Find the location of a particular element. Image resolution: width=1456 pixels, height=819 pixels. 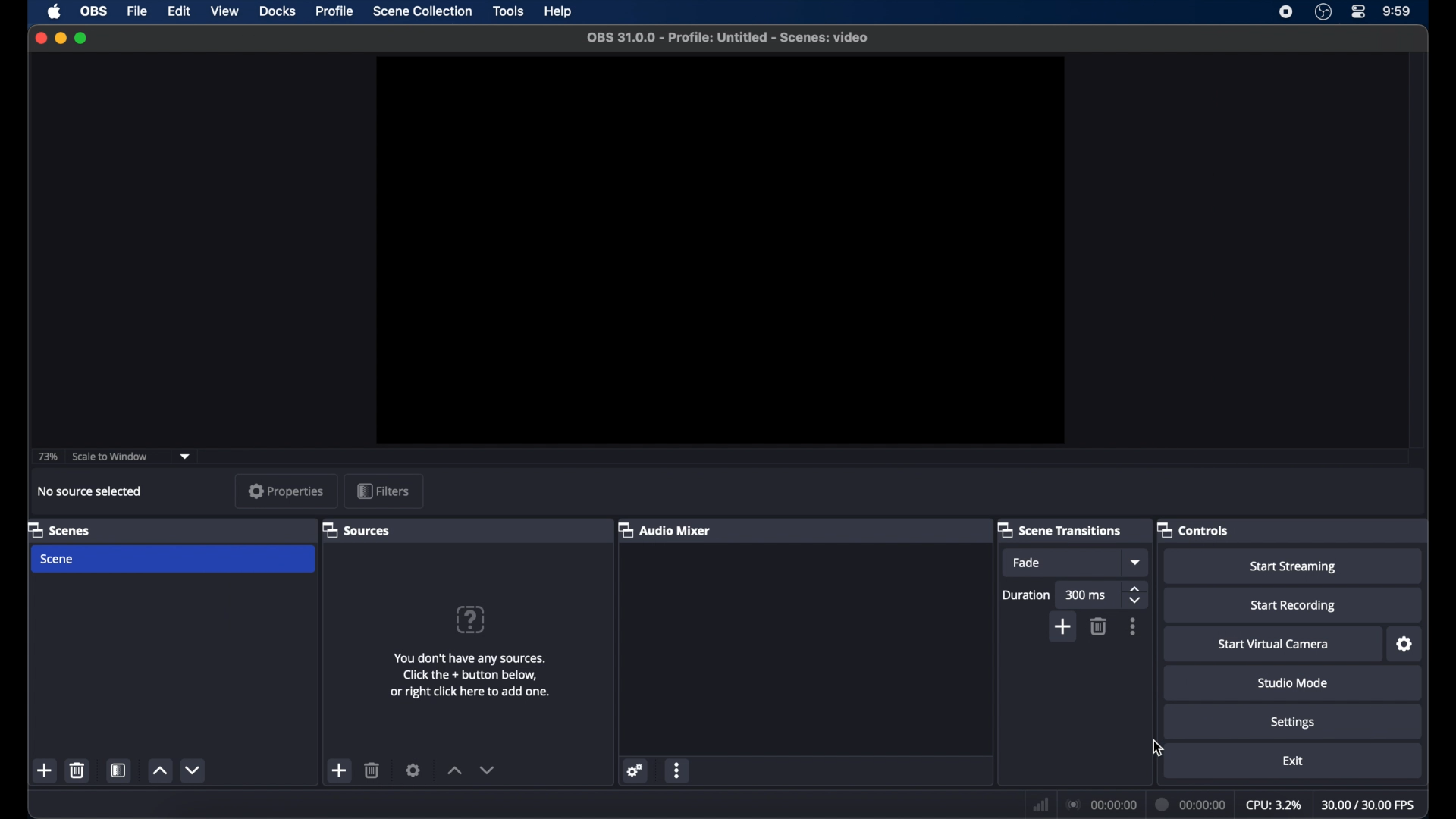

settings is located at coordinates (1294, 723).